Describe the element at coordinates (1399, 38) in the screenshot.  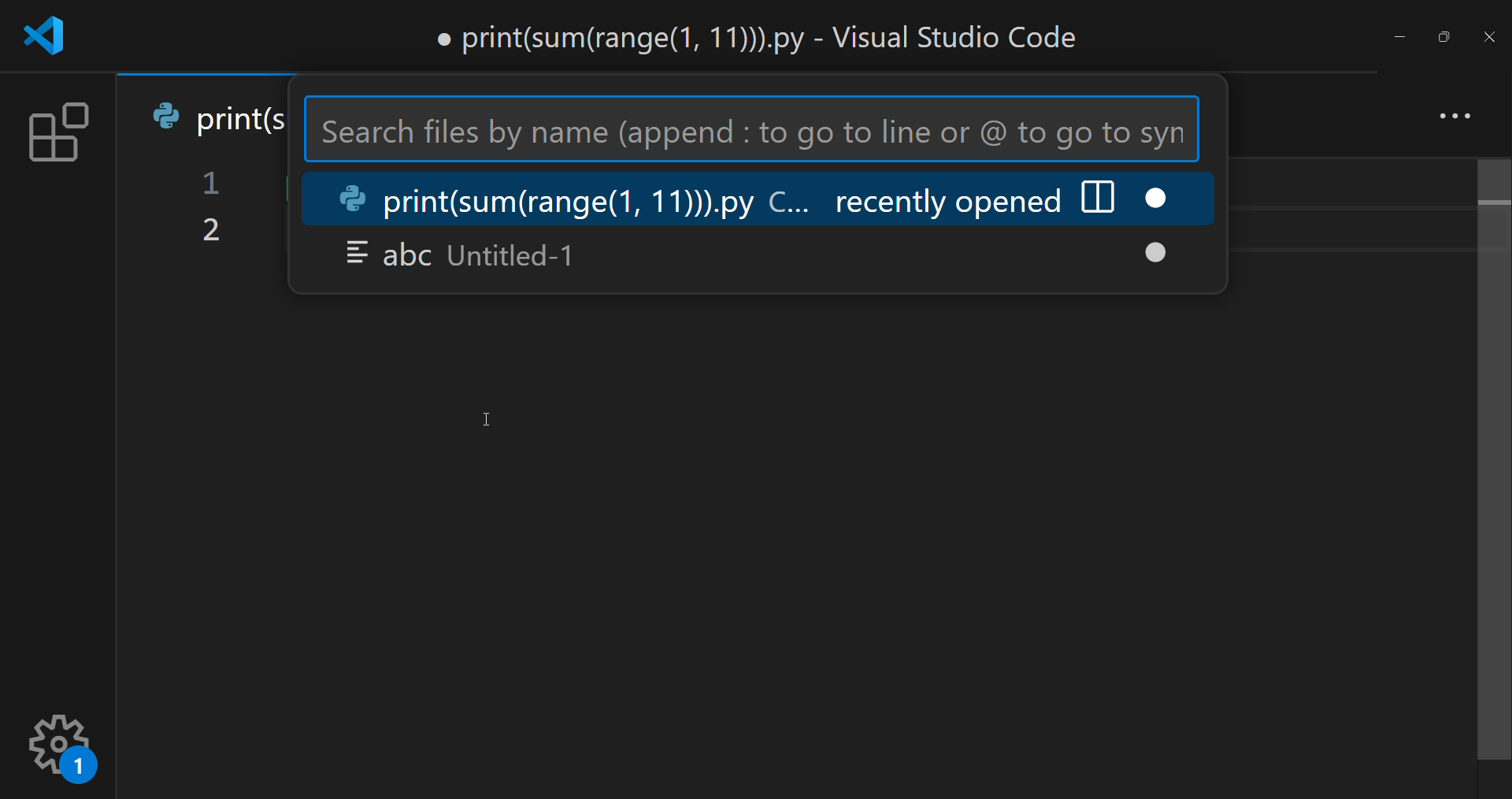
I see `minimize` at that location.